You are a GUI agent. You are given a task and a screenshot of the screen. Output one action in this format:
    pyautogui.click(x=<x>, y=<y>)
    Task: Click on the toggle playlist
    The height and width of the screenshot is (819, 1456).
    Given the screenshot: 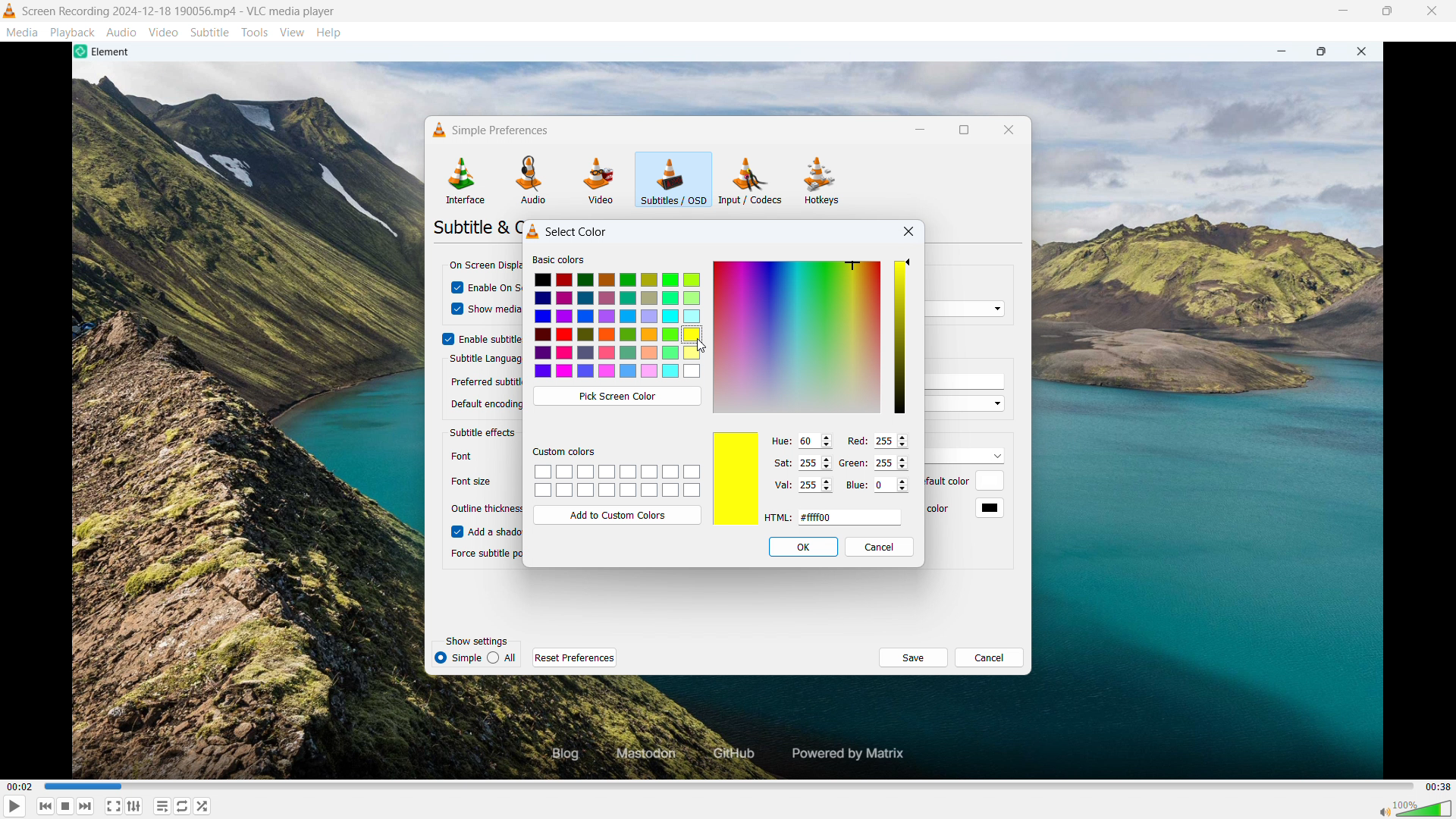 What is the action you would take?
    pyautogui.click(x=162, y=806)
    